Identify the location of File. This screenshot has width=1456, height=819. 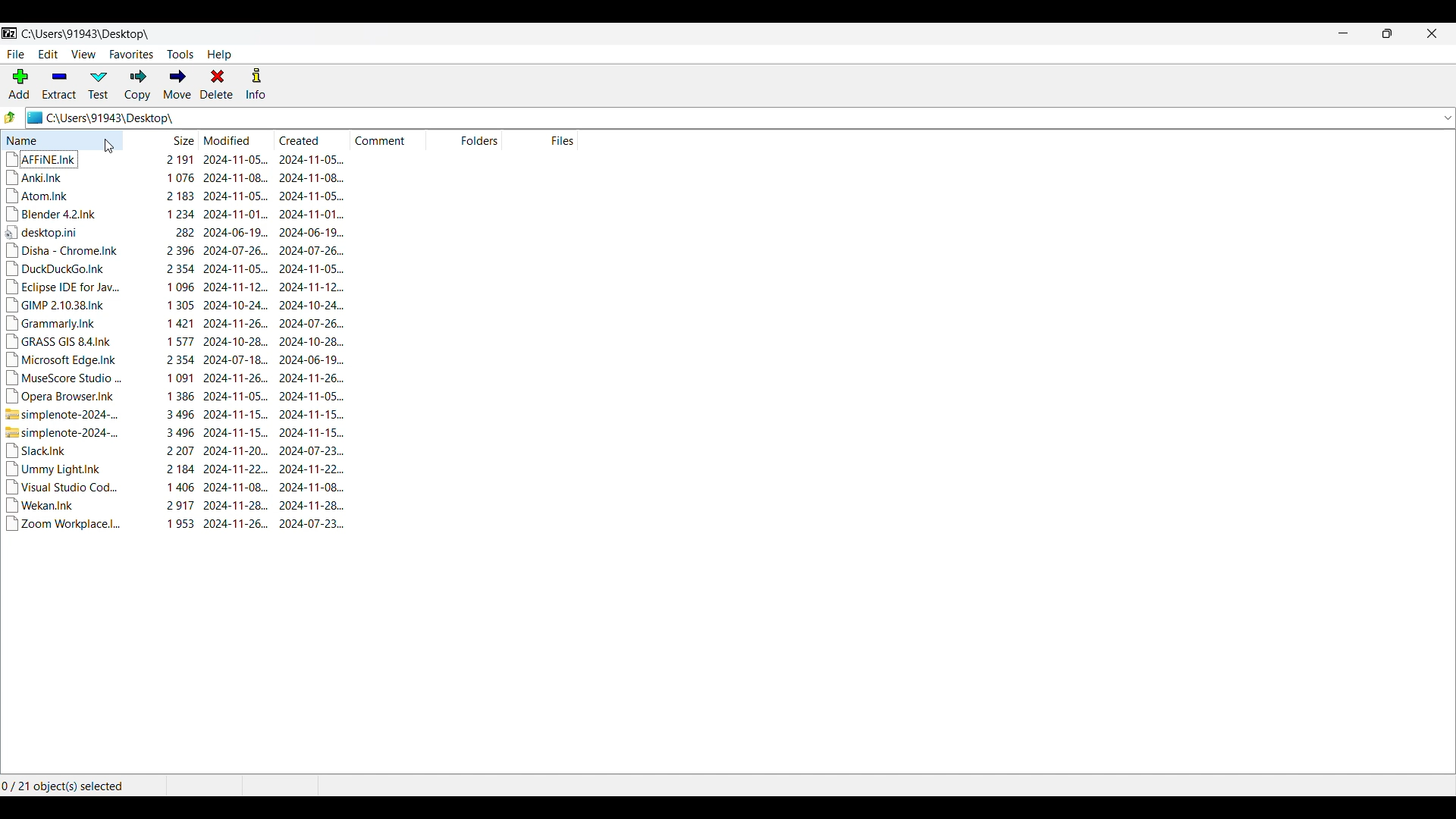
(16, 55).